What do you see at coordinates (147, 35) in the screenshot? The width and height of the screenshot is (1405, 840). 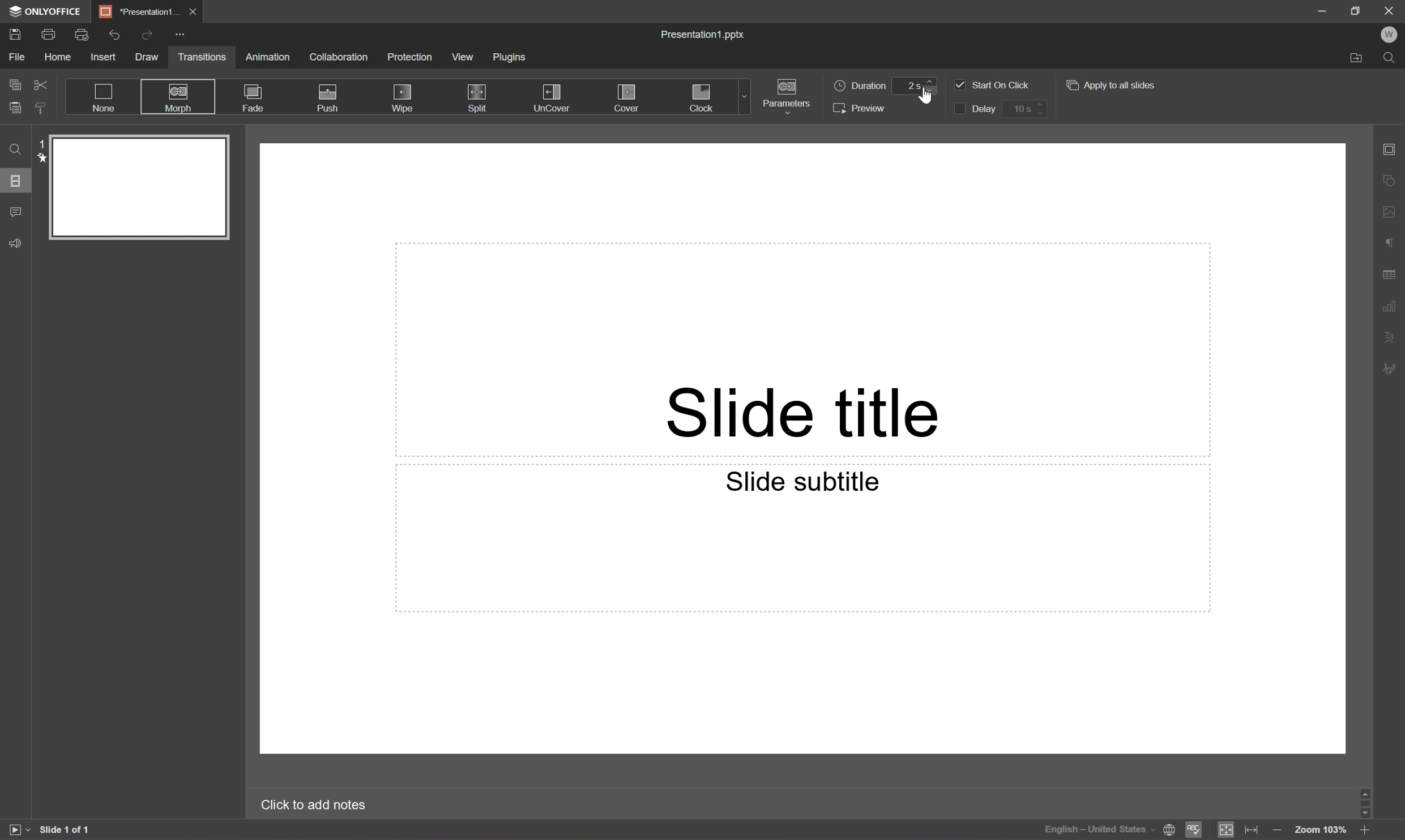 I see `Redo` at bounding box center [147, 35].